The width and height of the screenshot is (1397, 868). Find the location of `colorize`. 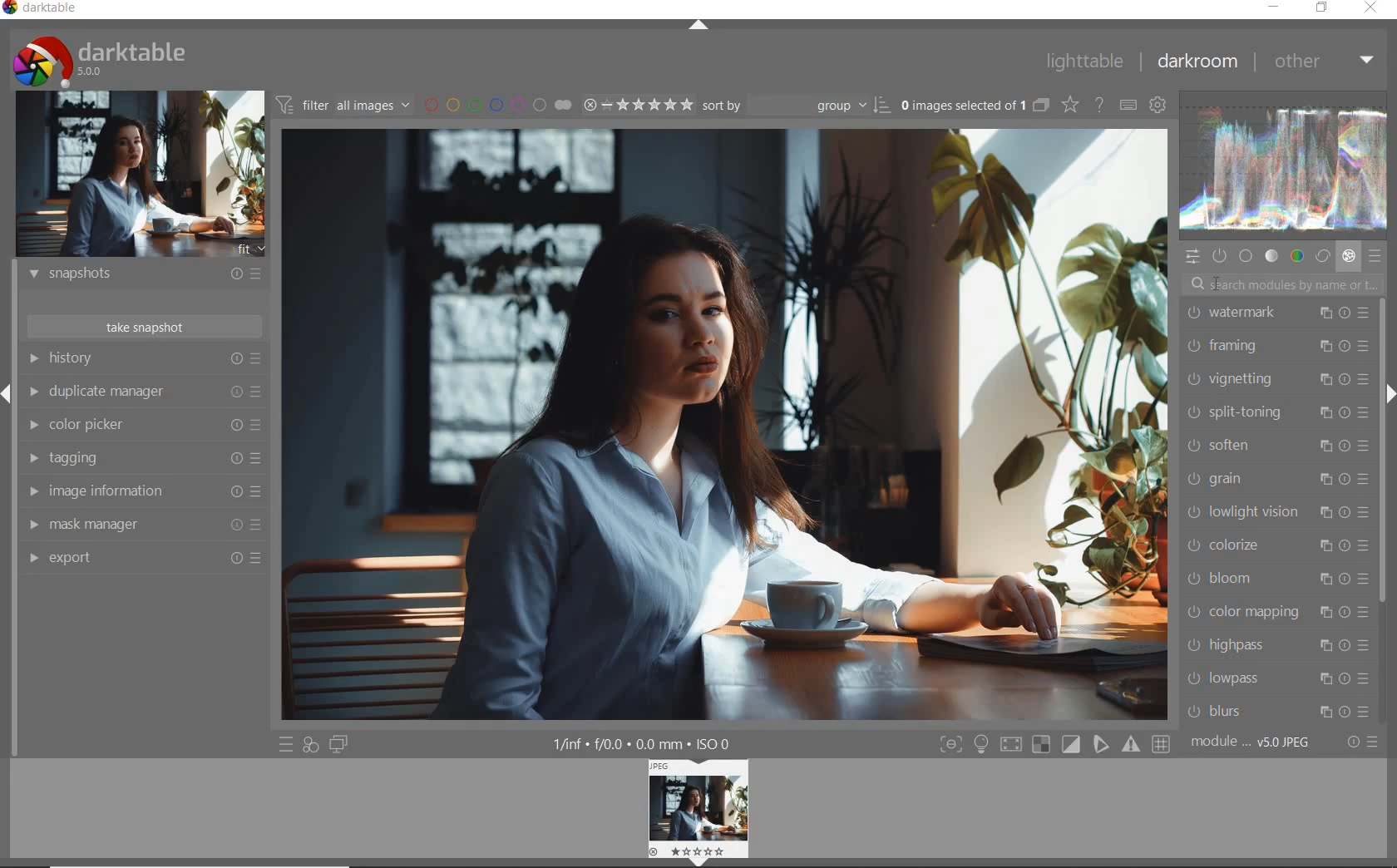

colorize is located at coordinates (1277, 545).